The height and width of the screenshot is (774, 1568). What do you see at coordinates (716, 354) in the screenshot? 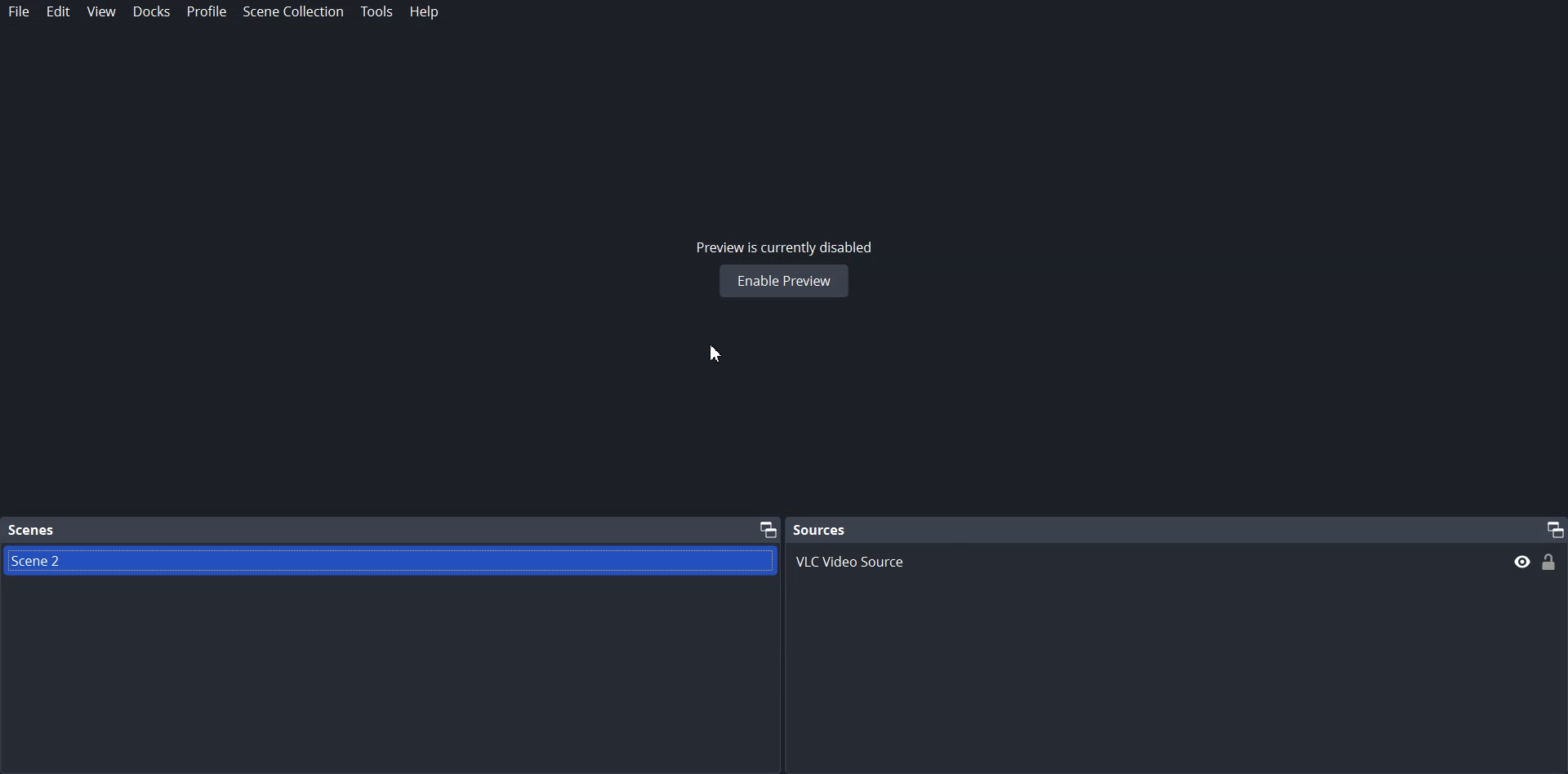
I see `Cursor` at bounding box center [716, 354].